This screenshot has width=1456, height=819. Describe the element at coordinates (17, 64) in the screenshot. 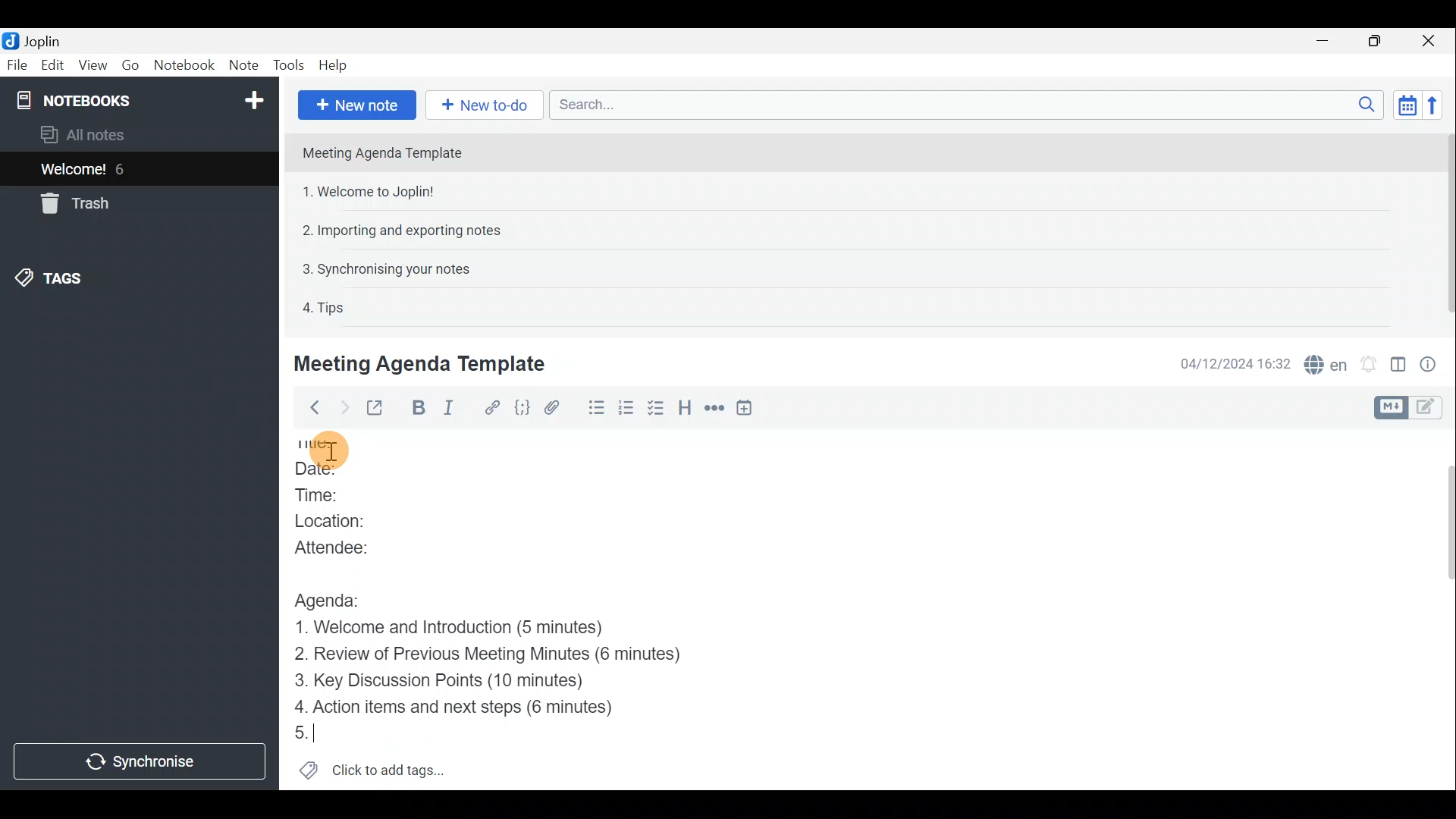

I see `File` at that location.